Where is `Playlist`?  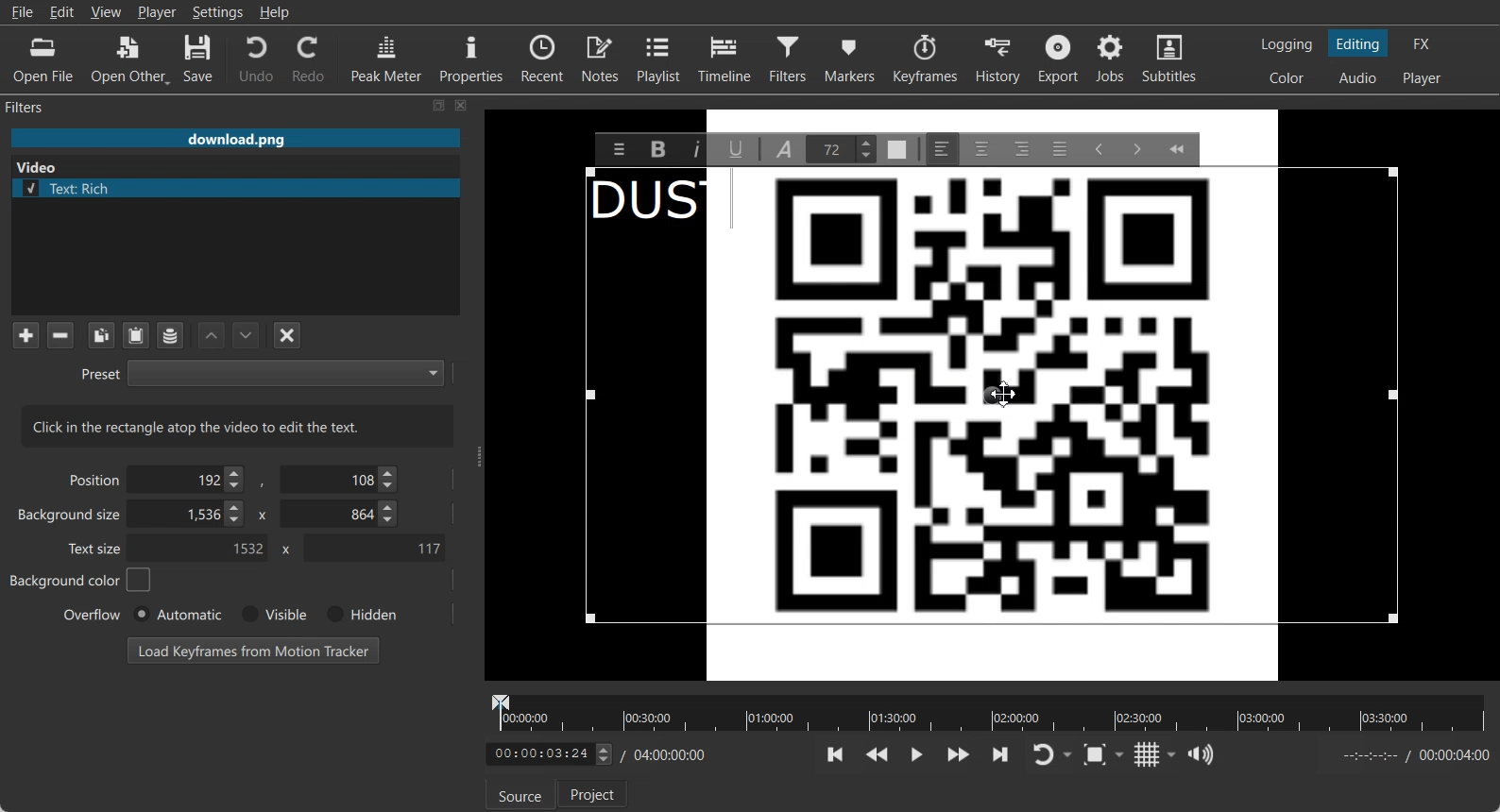 Playlist is located at coordinates (661, 58).